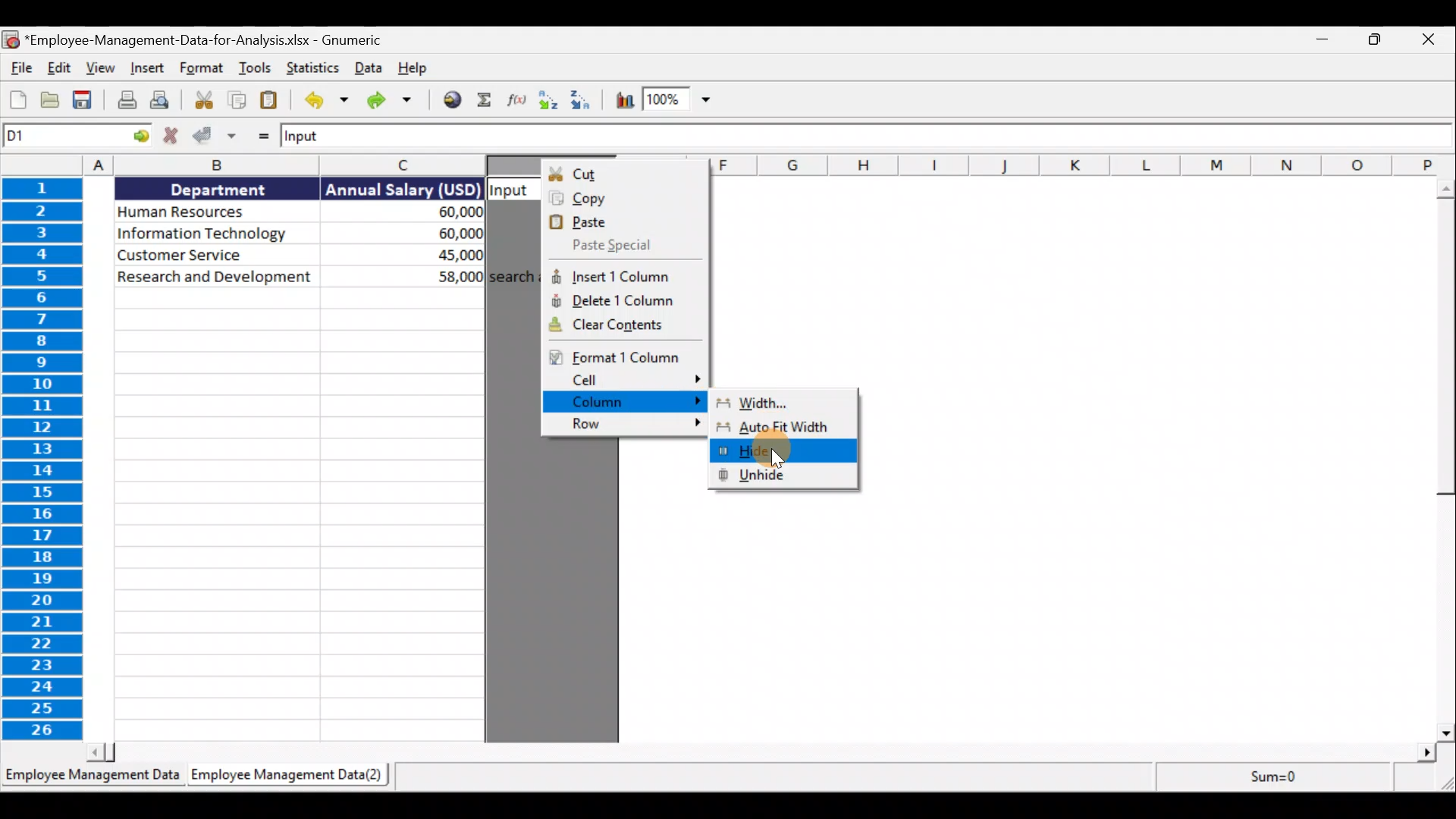 The height and width of the screenshot is (819, 1456). What do you see at coordinates (871, 137) in the screenshot?
I see `Formula bar` at bounding box center [871, 137].